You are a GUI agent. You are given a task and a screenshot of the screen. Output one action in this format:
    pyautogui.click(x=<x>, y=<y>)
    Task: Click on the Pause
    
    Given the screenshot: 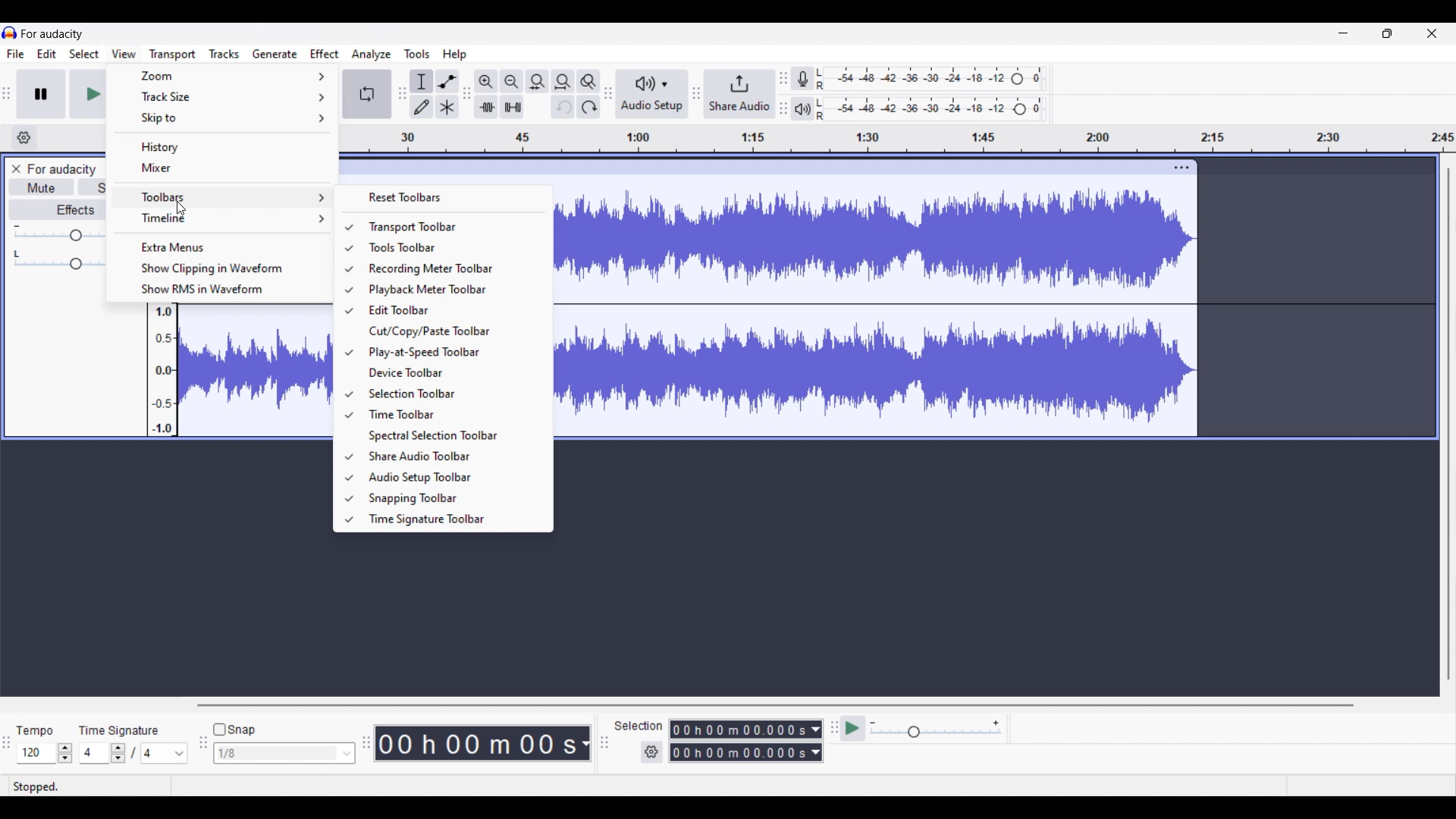 What is the action you would take?
    pyautogui.click(x=40, y=93)
    